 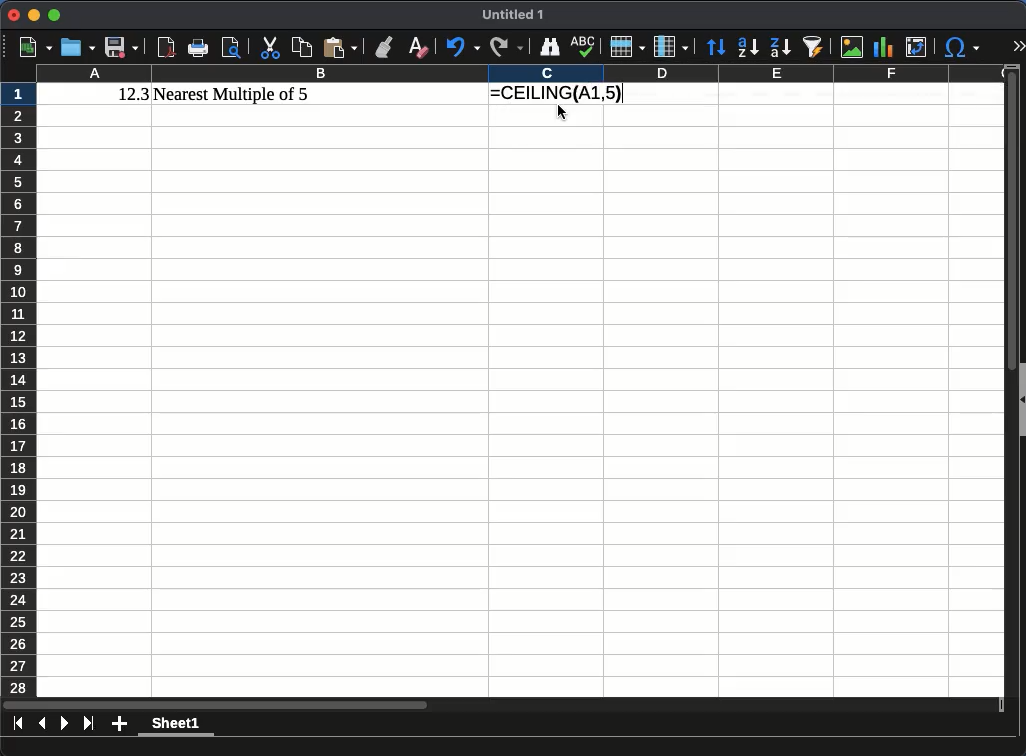 I want to click on clear formatting, so click(x=417, y=48).